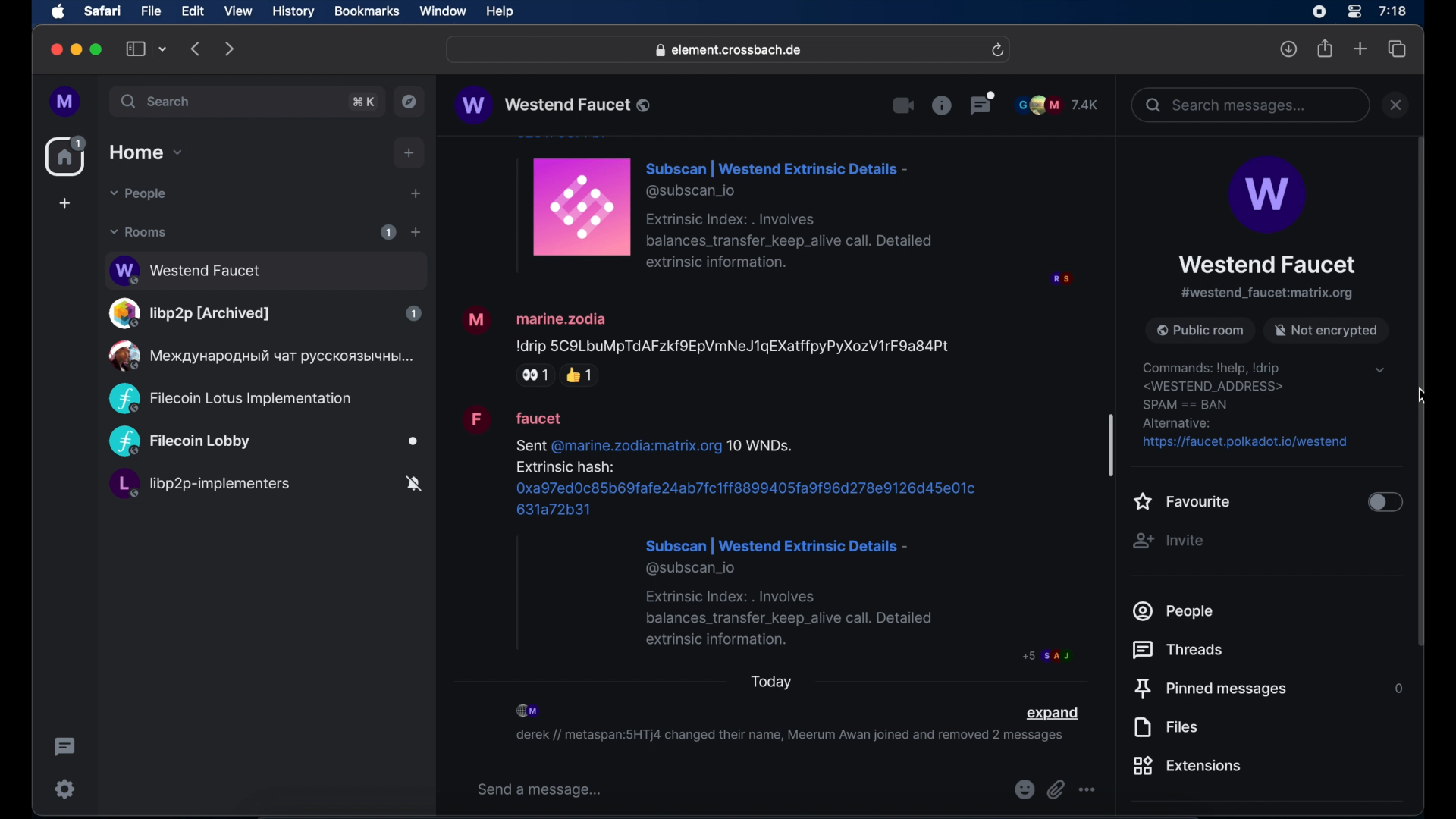 Image resolution: width=1456 pixels, height=819 pixels. Describe the element at coordinates (265, 268) in the screenshot. I see `public room` at that location.